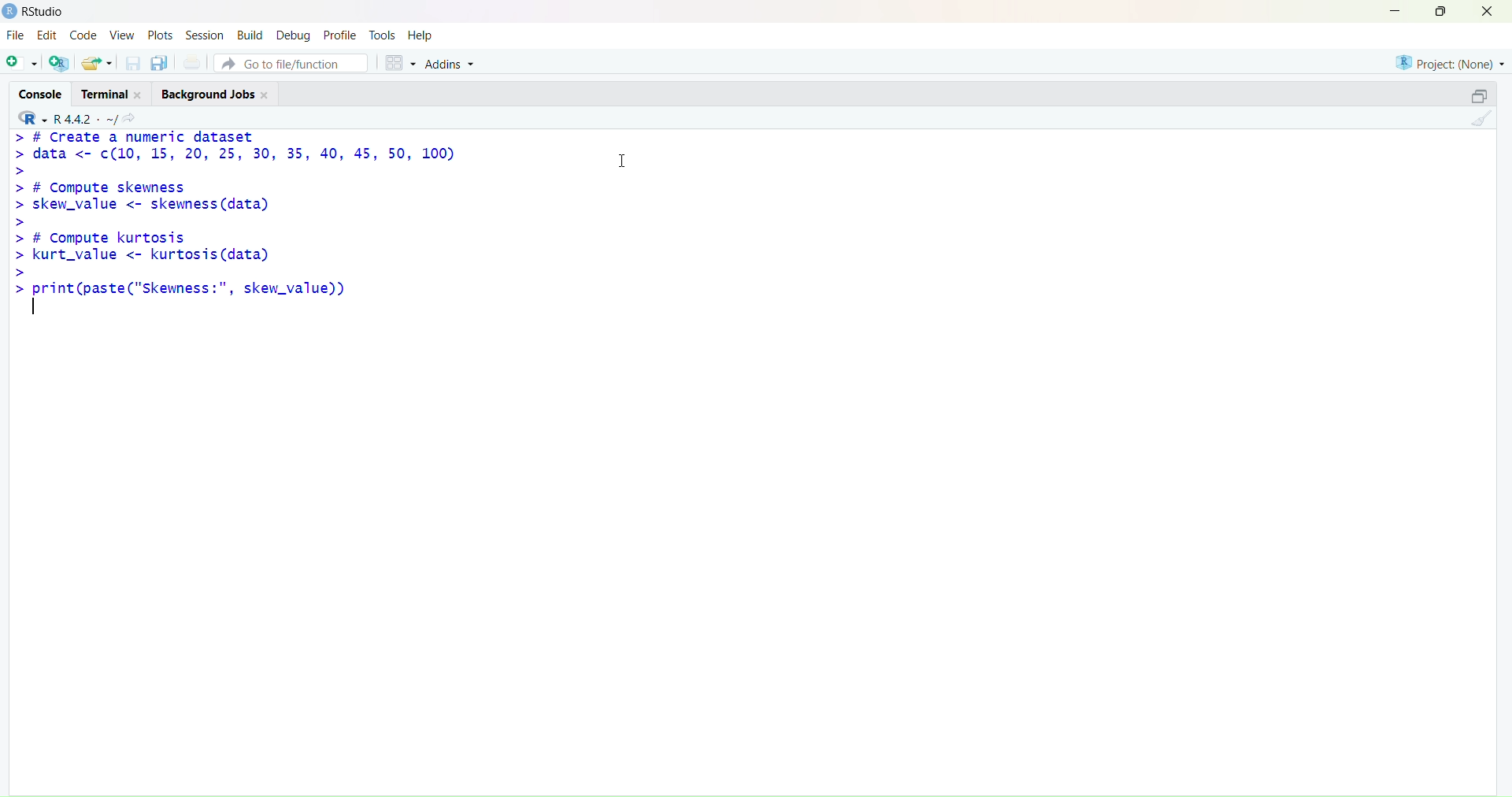 This screenshot has width=1512, height=797. Describe the element at coordinates (424, 34) in the screenshot. I see `Help` at that location.